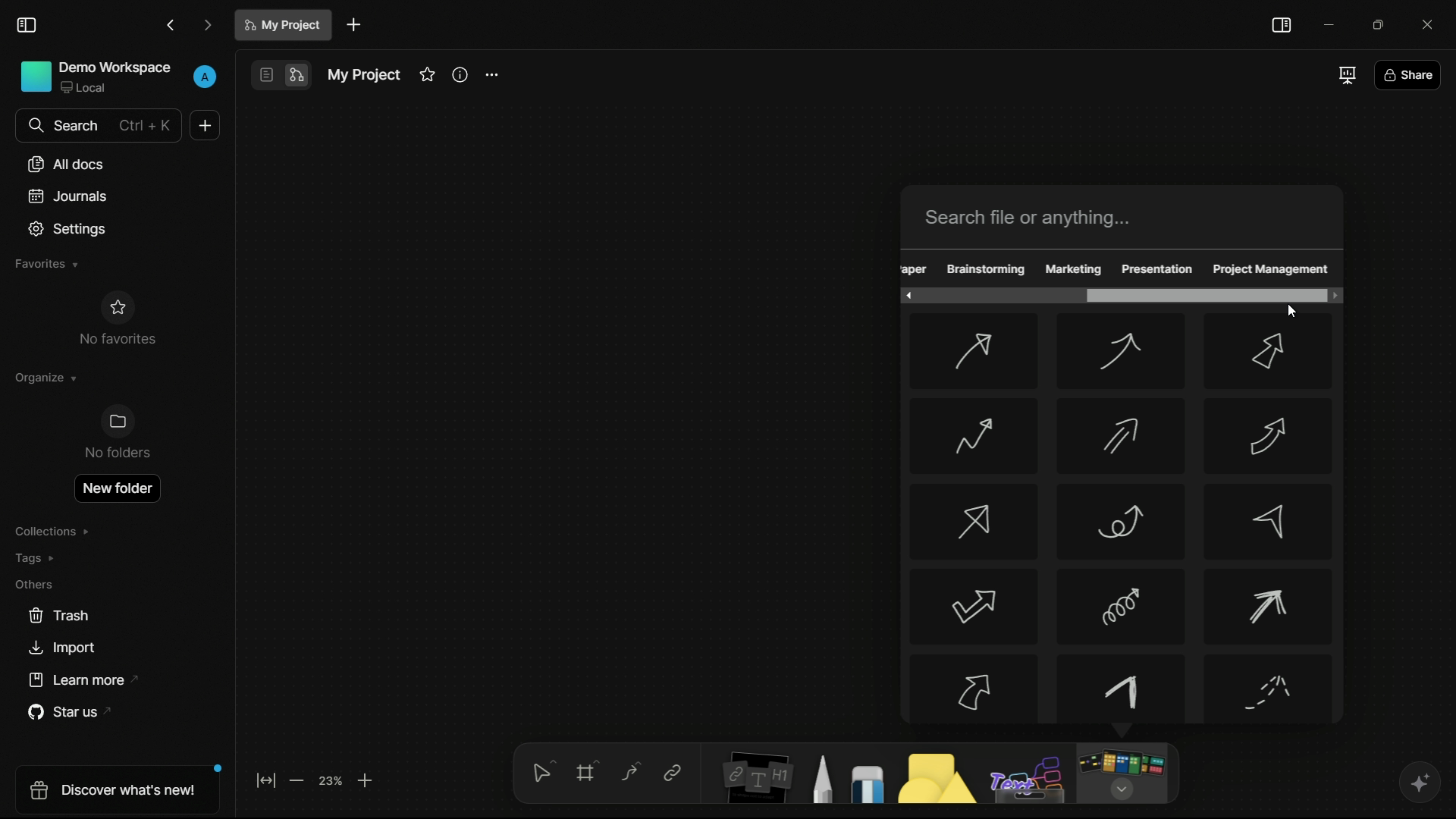 The image size is (1456, 819). Describe the element at coordinates (1332, 295) in the screenshot. I see `scroll right` at that location.